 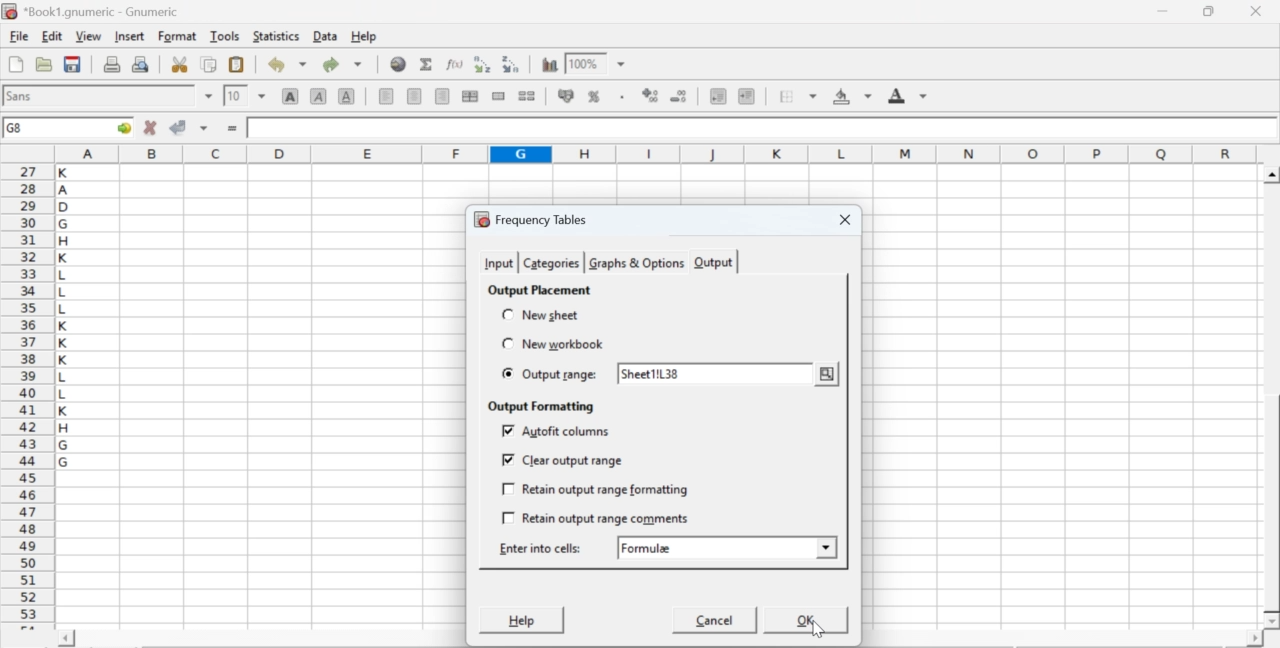 I want to click on sum in current cell, so click(x=427, y=63).